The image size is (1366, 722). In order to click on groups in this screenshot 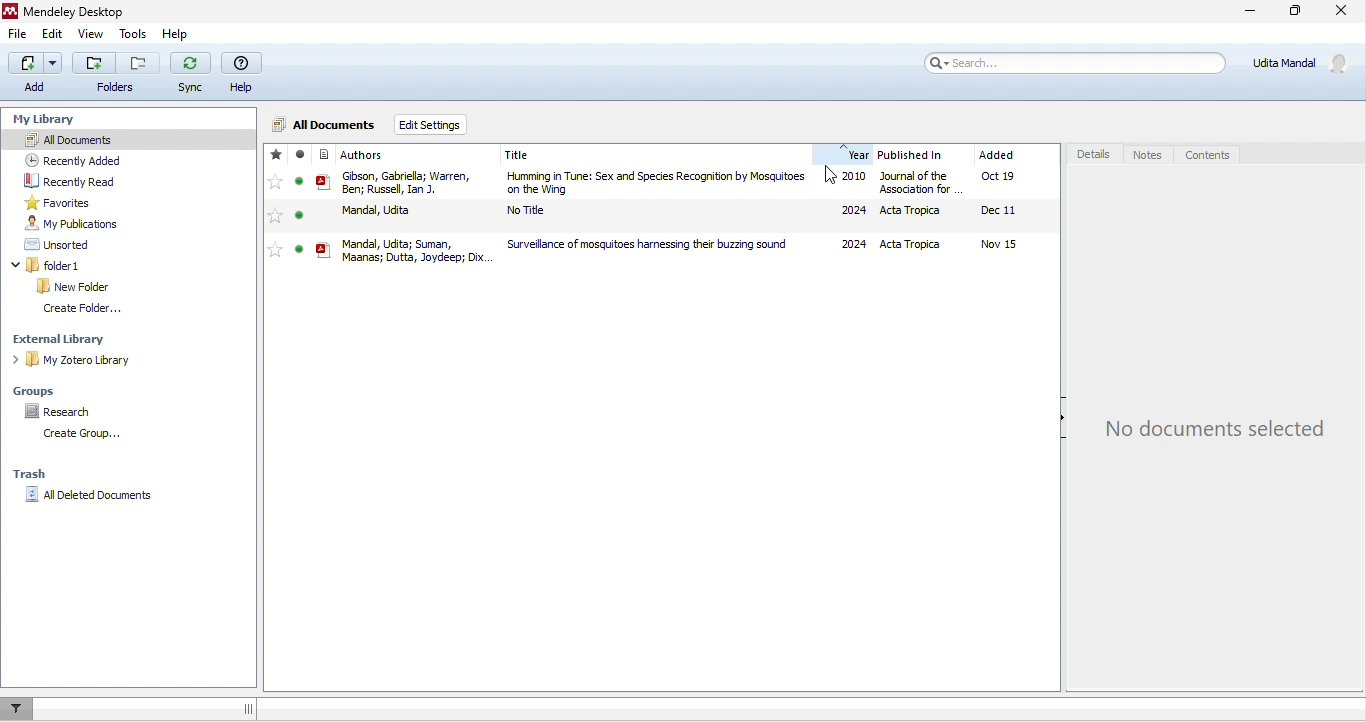, I will do `click(34, 390)`.